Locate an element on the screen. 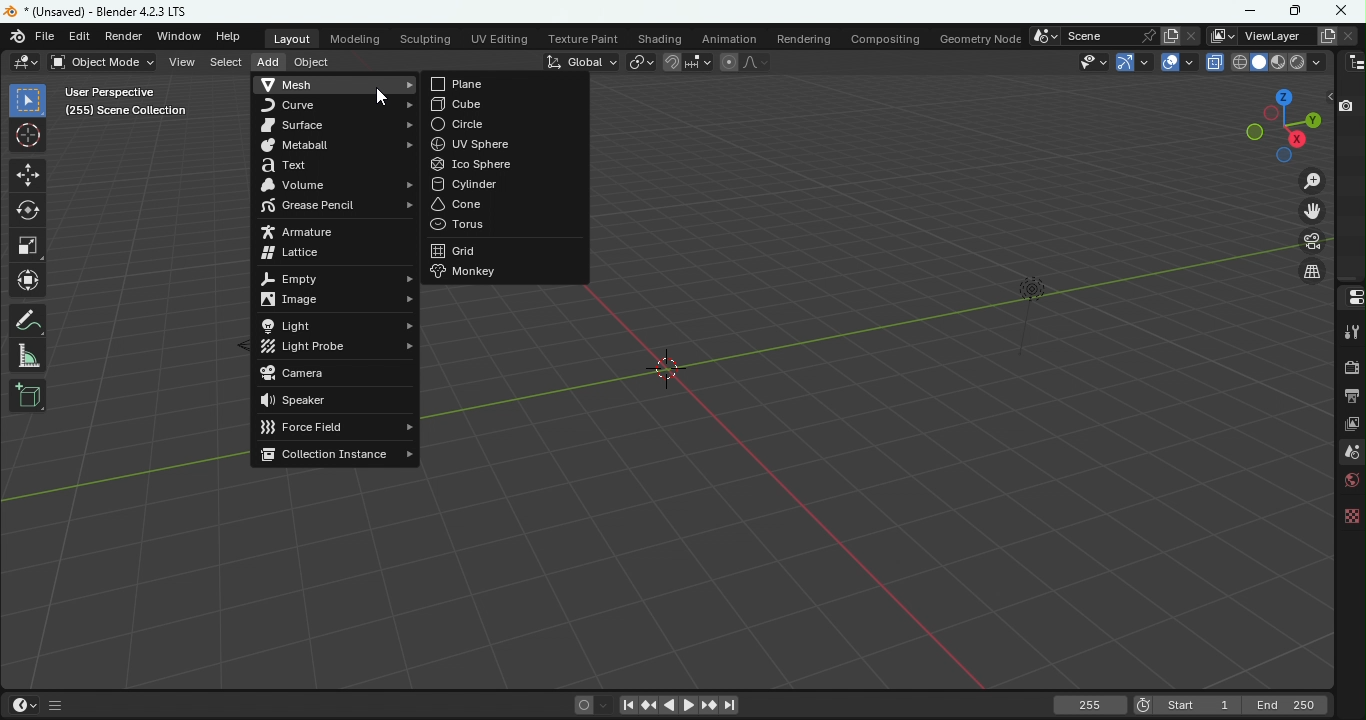  First frame of the playback/rendering range is located at coordinates (1198, 705).